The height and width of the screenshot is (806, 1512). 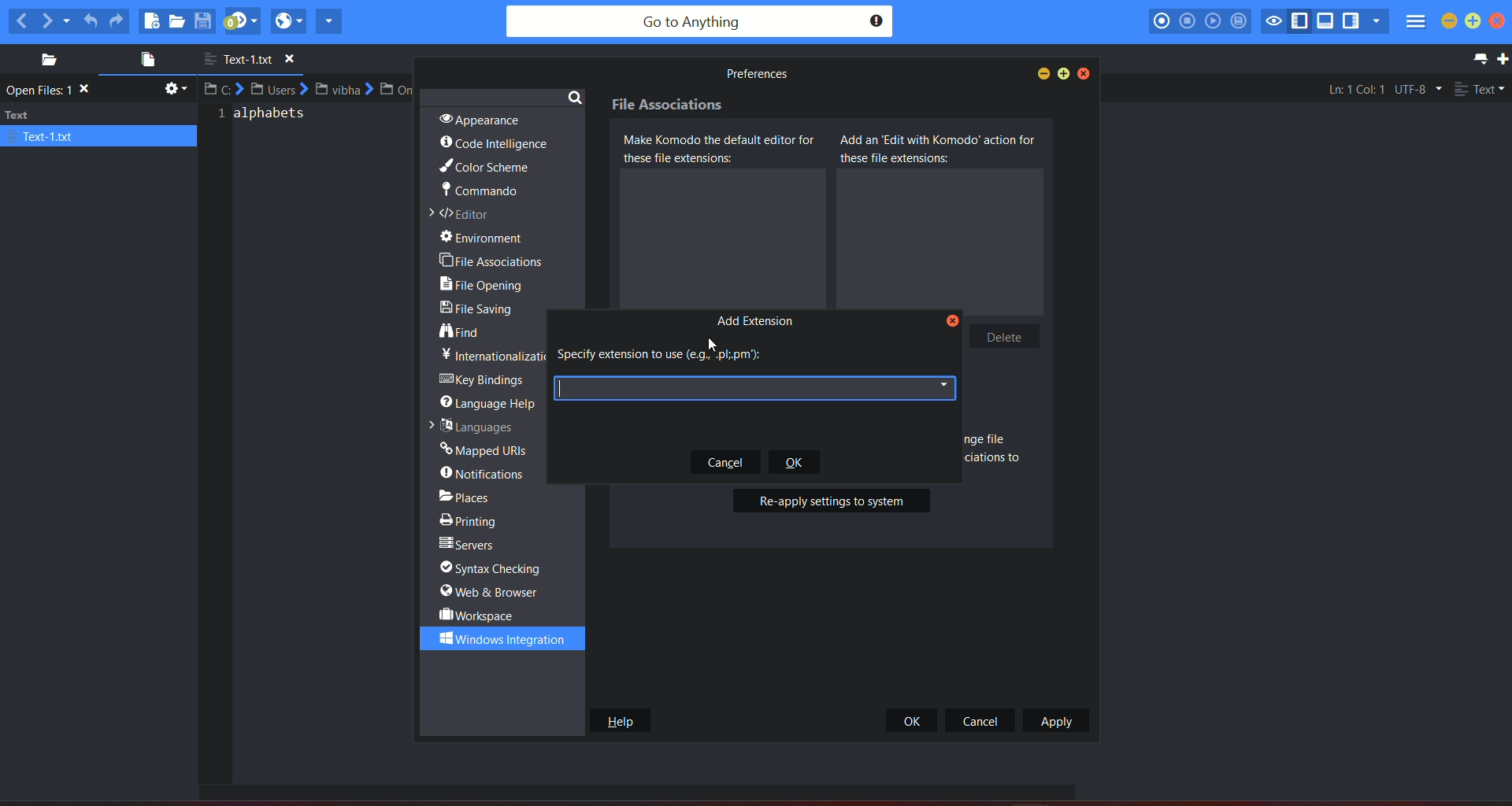 What do you see at coordinates (493, 401) in the screenshot?
I see `language help` at bounding box center [493, 401].